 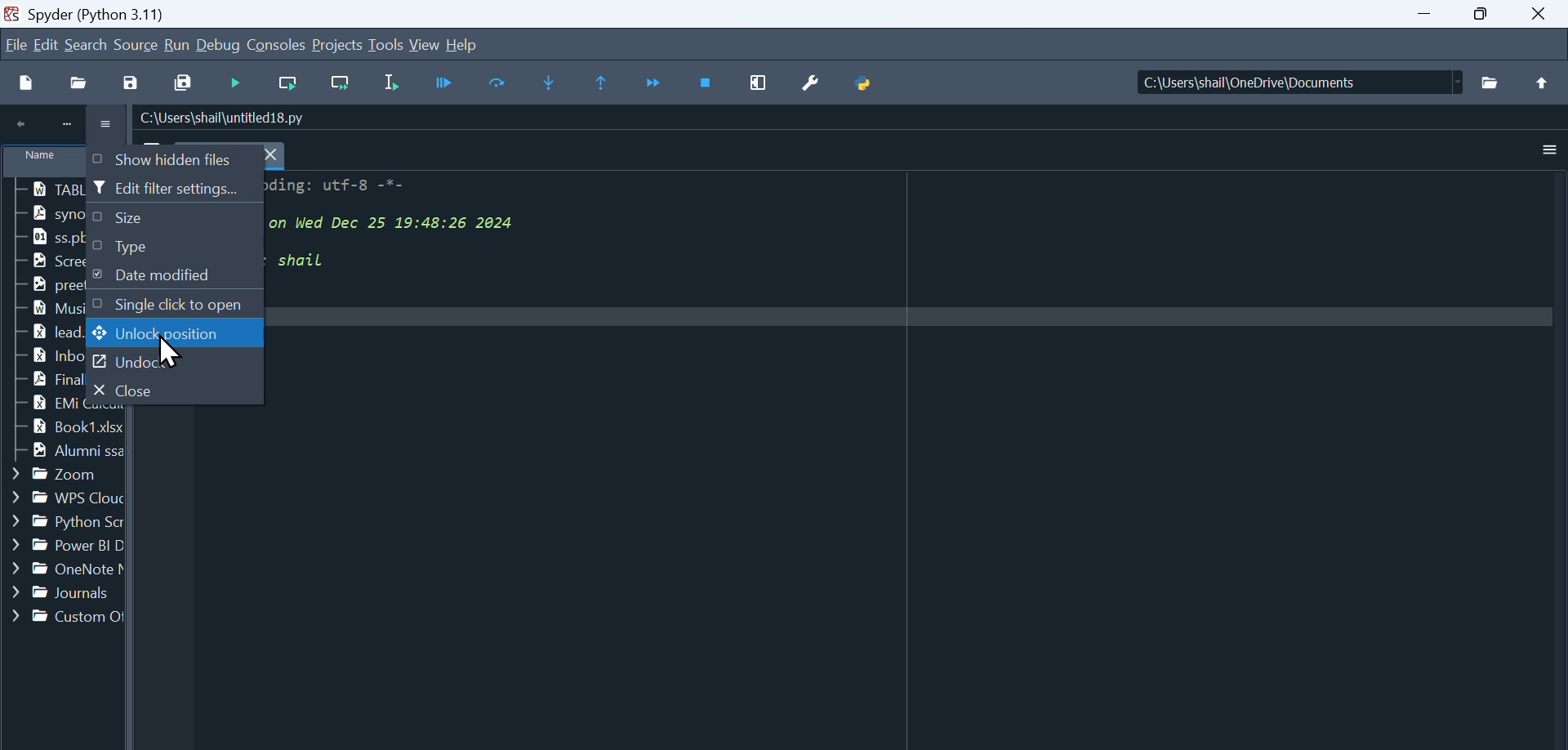 I want to click on ss.pbix, so click(x=43, y=237).